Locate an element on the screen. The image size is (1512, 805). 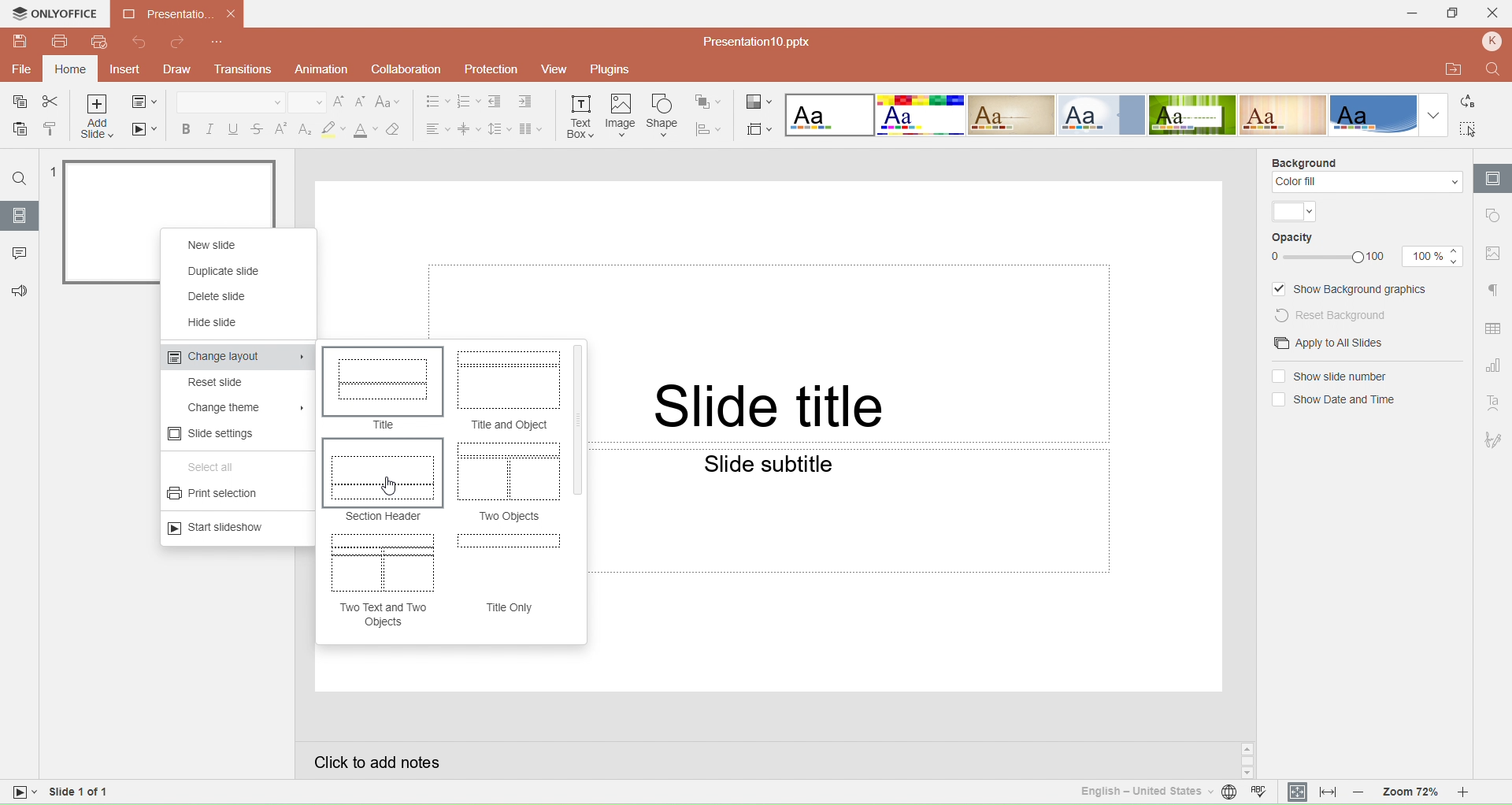
Change slide layout is located at coordinates (146, 102).